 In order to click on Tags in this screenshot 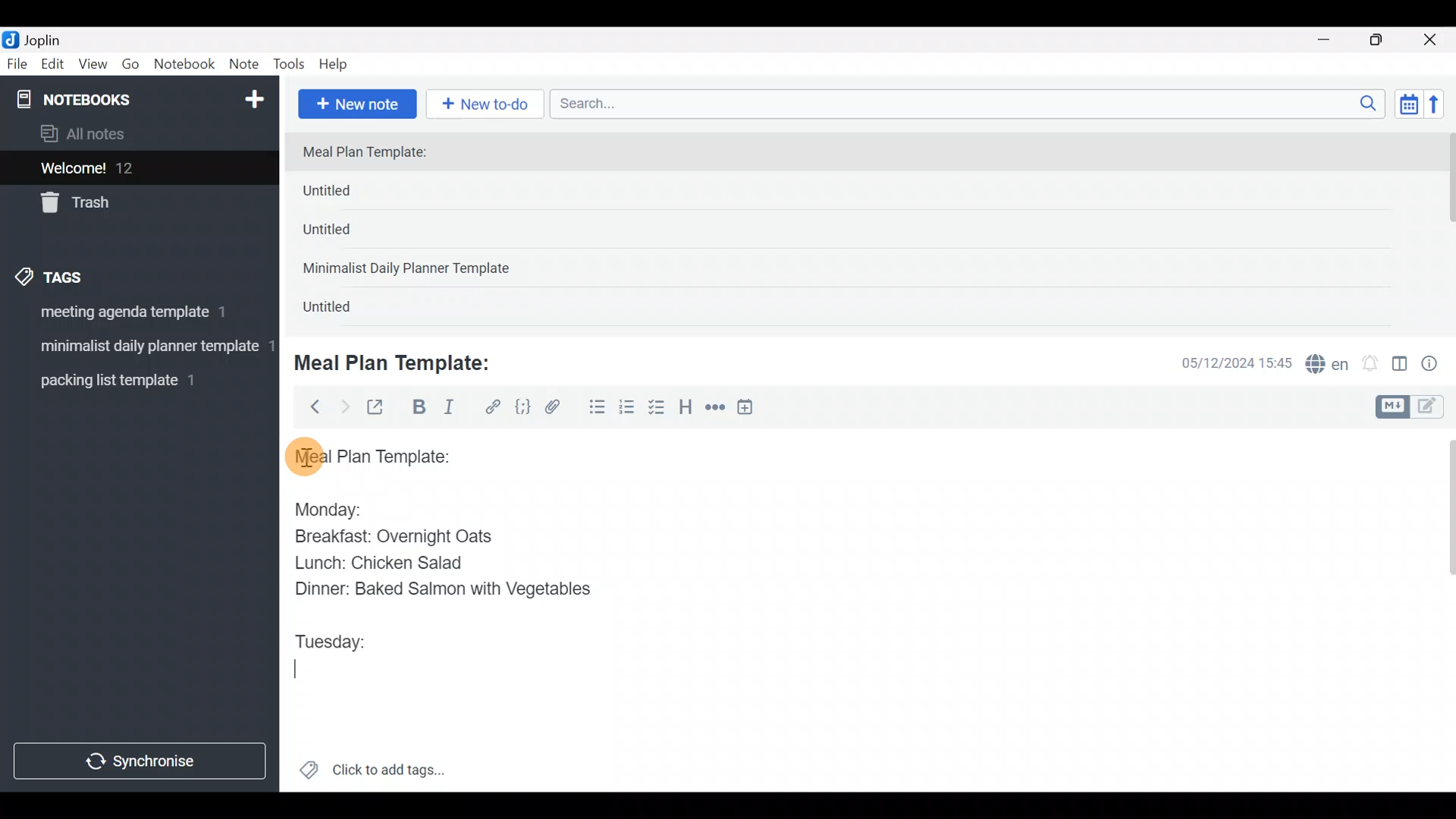, I will do `click(85, 275)`.